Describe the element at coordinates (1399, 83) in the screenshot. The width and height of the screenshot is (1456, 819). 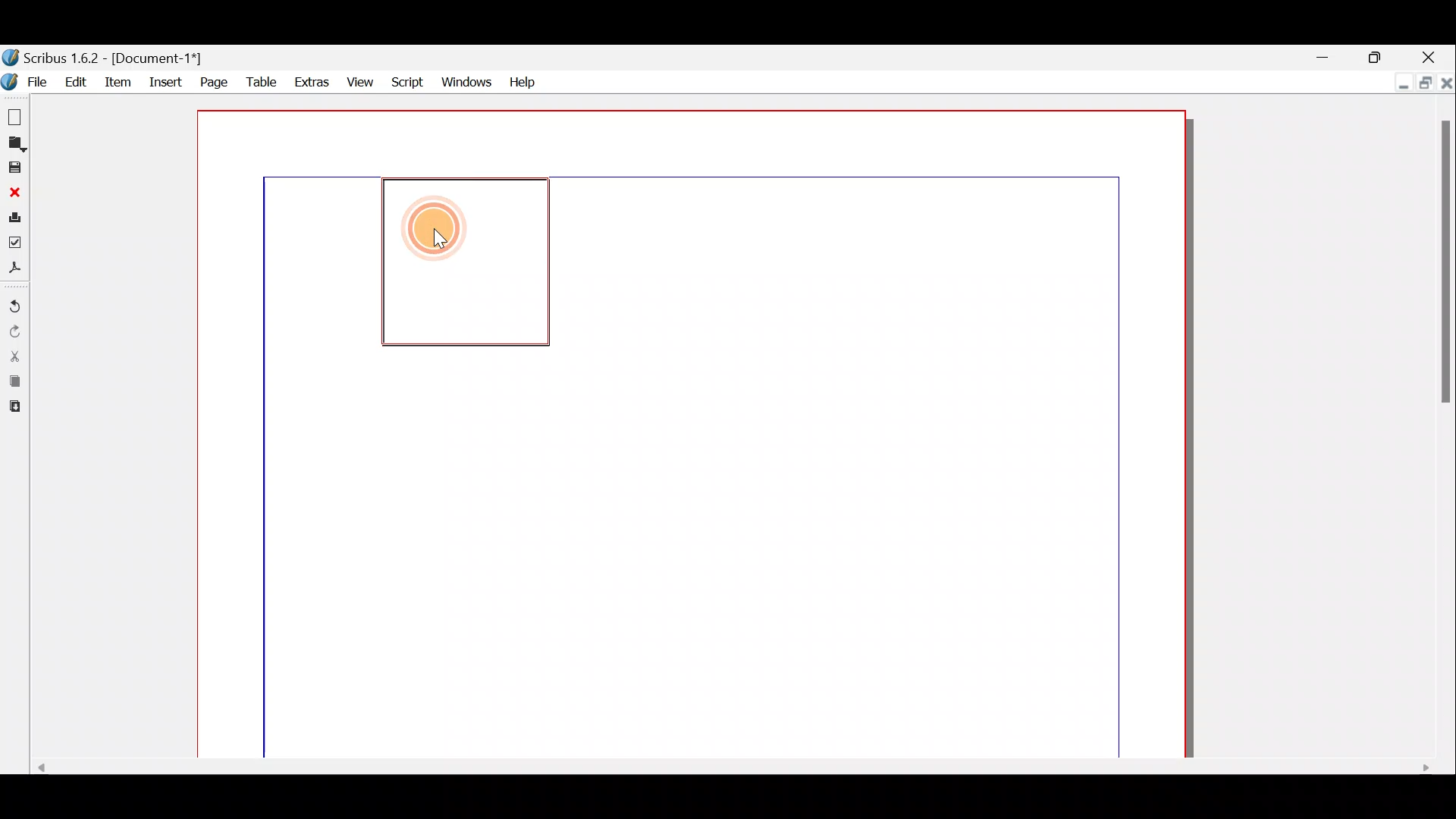
I see `Minimise` at that location.